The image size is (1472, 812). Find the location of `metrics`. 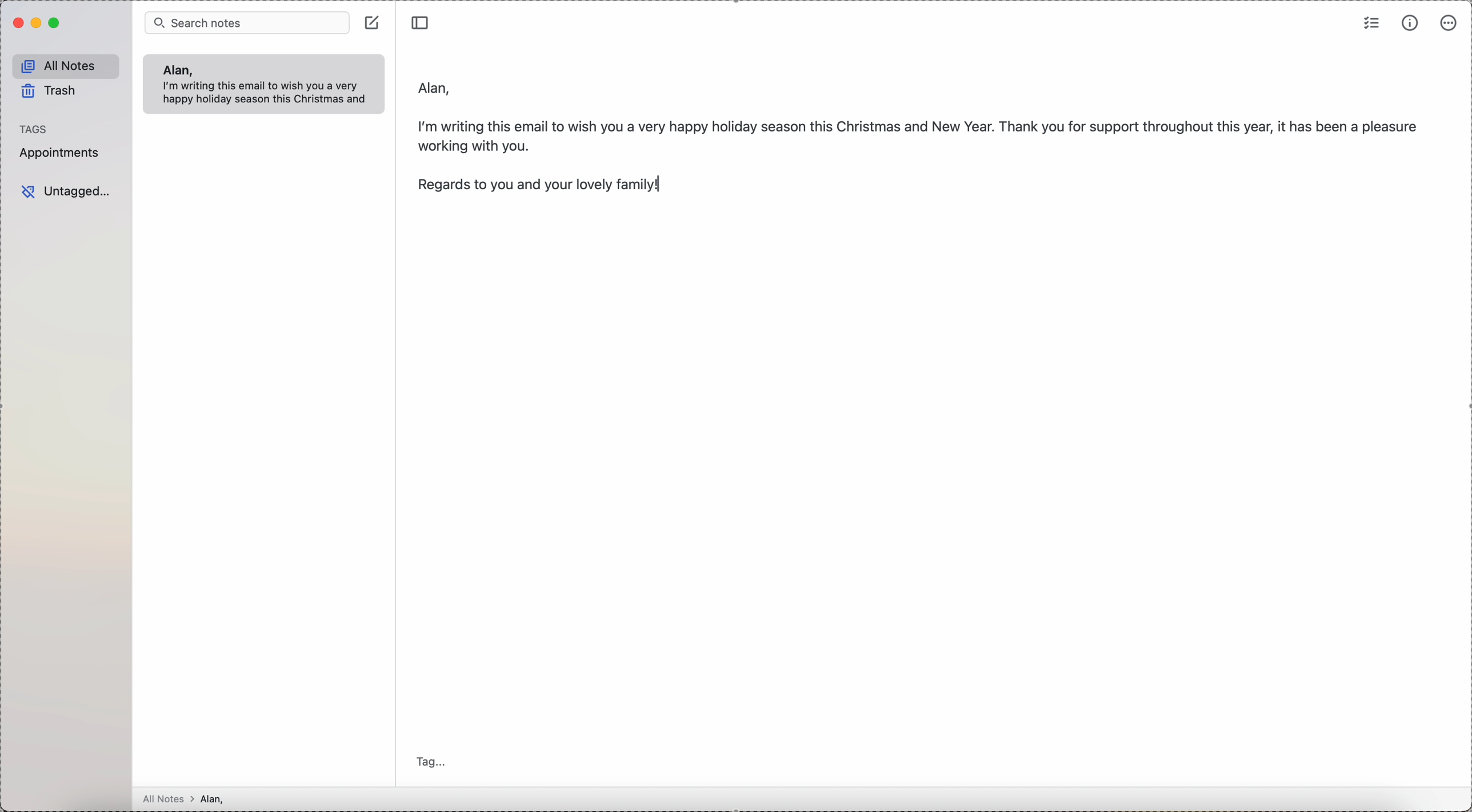

metrics is located at coordinates (1410, 23).